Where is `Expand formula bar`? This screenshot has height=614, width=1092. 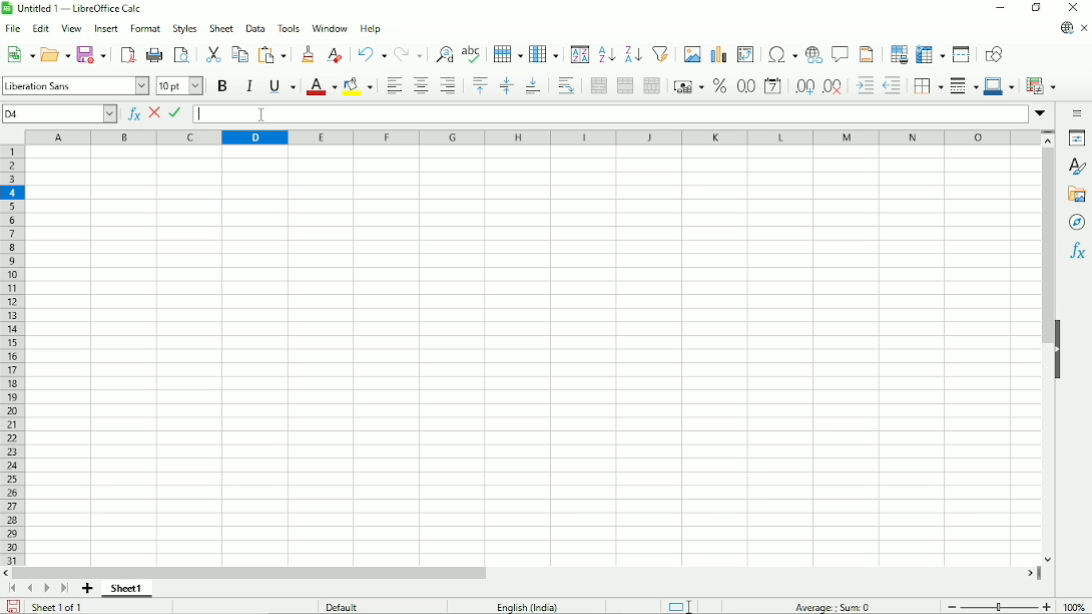
Expand formula bar is located at coordinates (1042, 113).